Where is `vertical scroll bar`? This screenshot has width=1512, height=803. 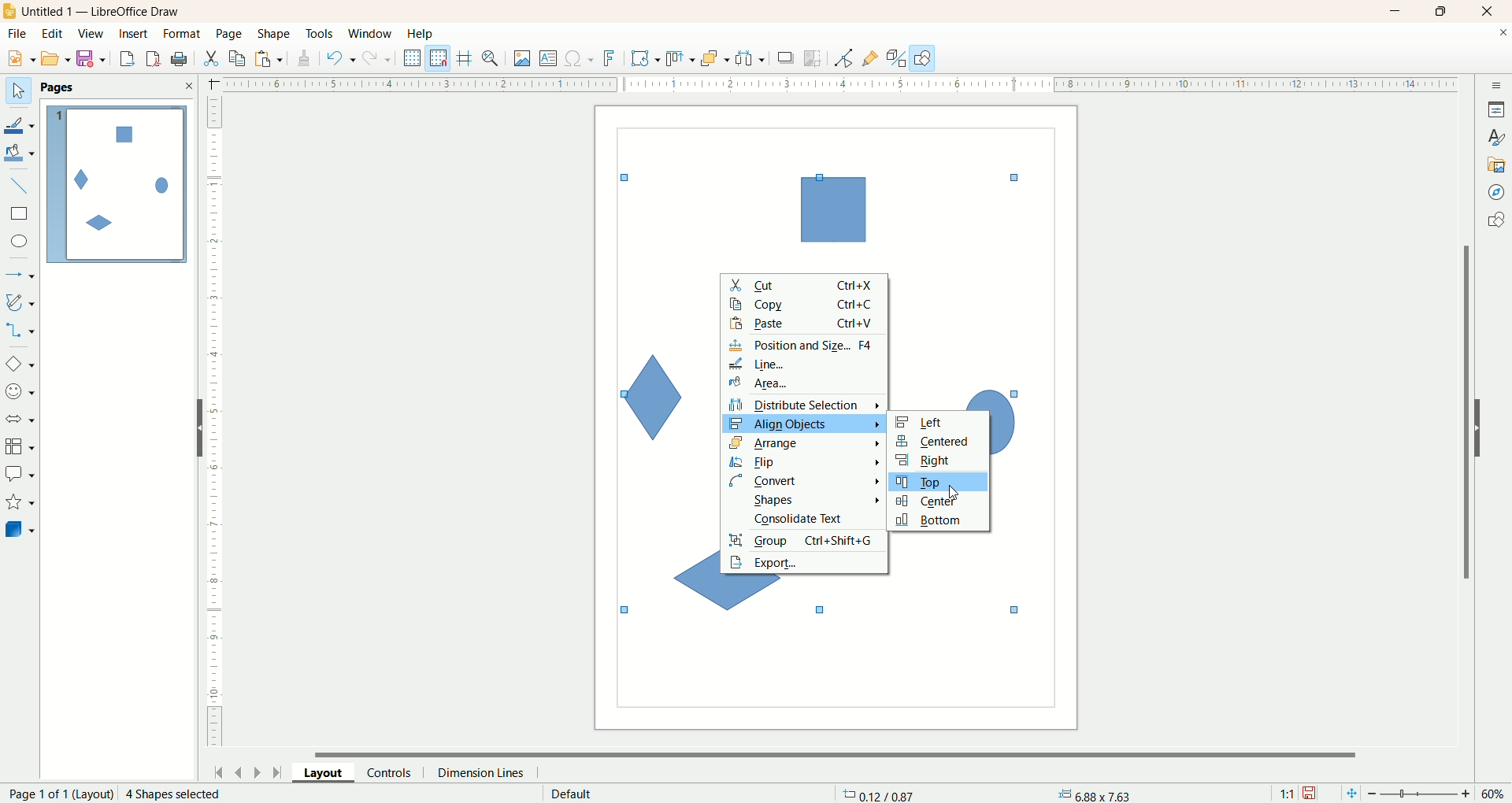 vertical scroll bar is located at coordinates (1463, 412).